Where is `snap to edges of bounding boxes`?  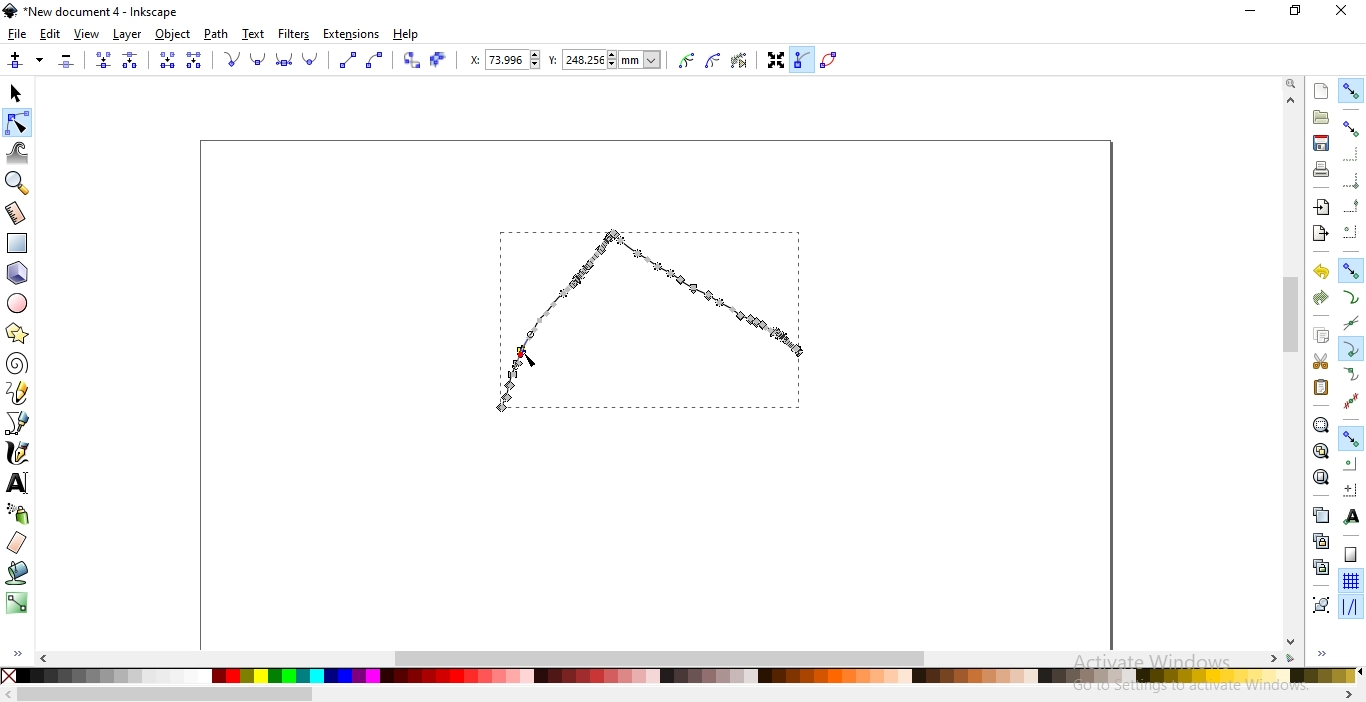 snap to edges of bounding boxes is located at coordinates (1349, 155).